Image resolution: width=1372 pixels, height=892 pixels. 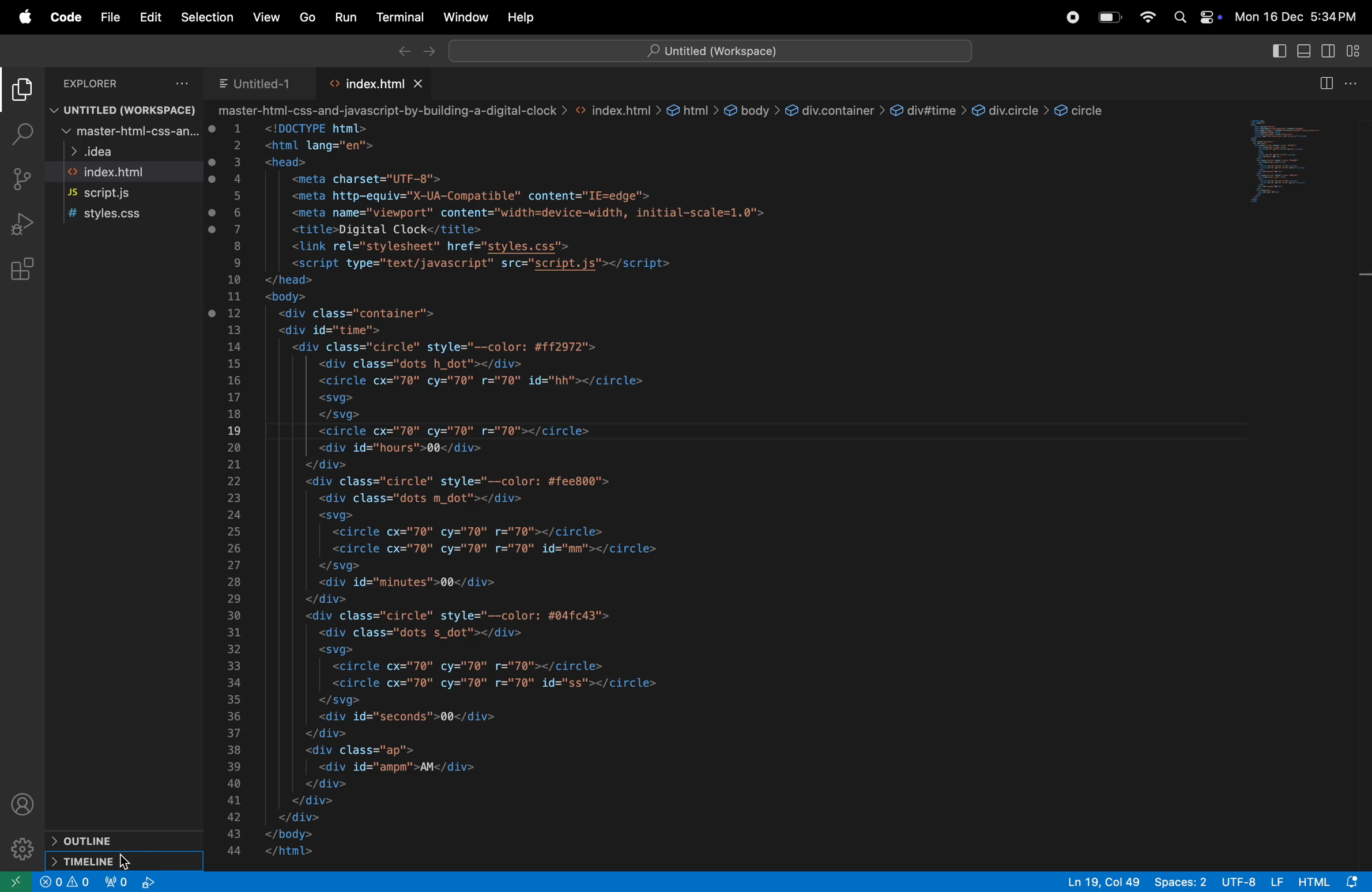 I want to click on <circle cx="70" cy="70" r="70"></circle>, so click(x=483, y=665).